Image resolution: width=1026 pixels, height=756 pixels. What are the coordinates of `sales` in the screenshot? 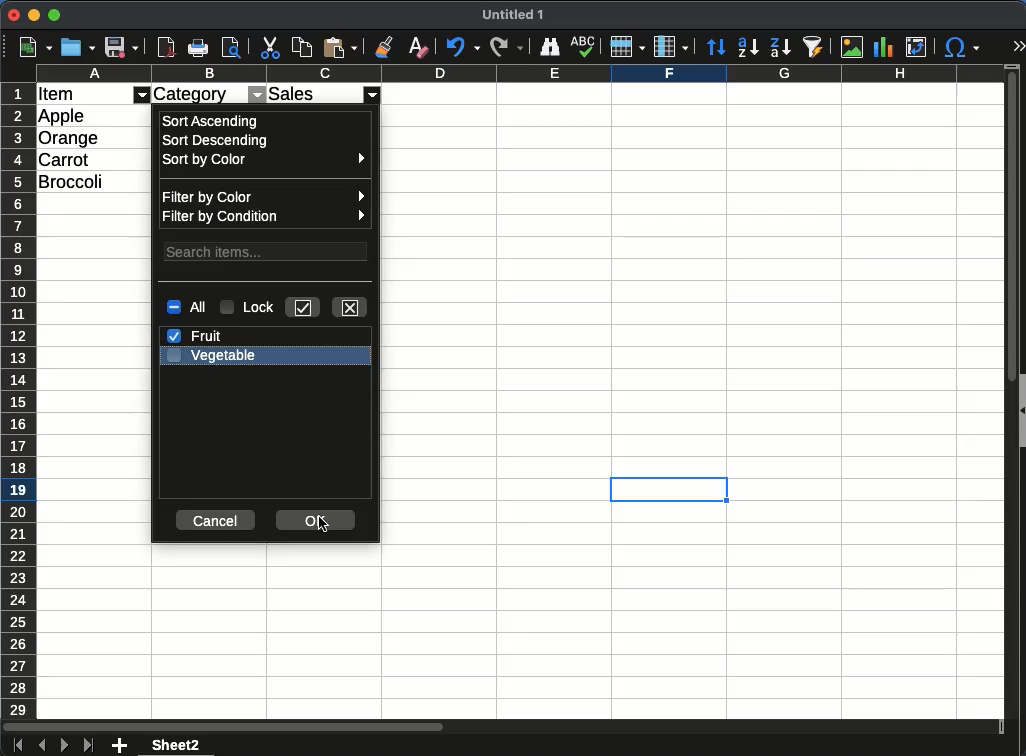 It's located at (310, 92).